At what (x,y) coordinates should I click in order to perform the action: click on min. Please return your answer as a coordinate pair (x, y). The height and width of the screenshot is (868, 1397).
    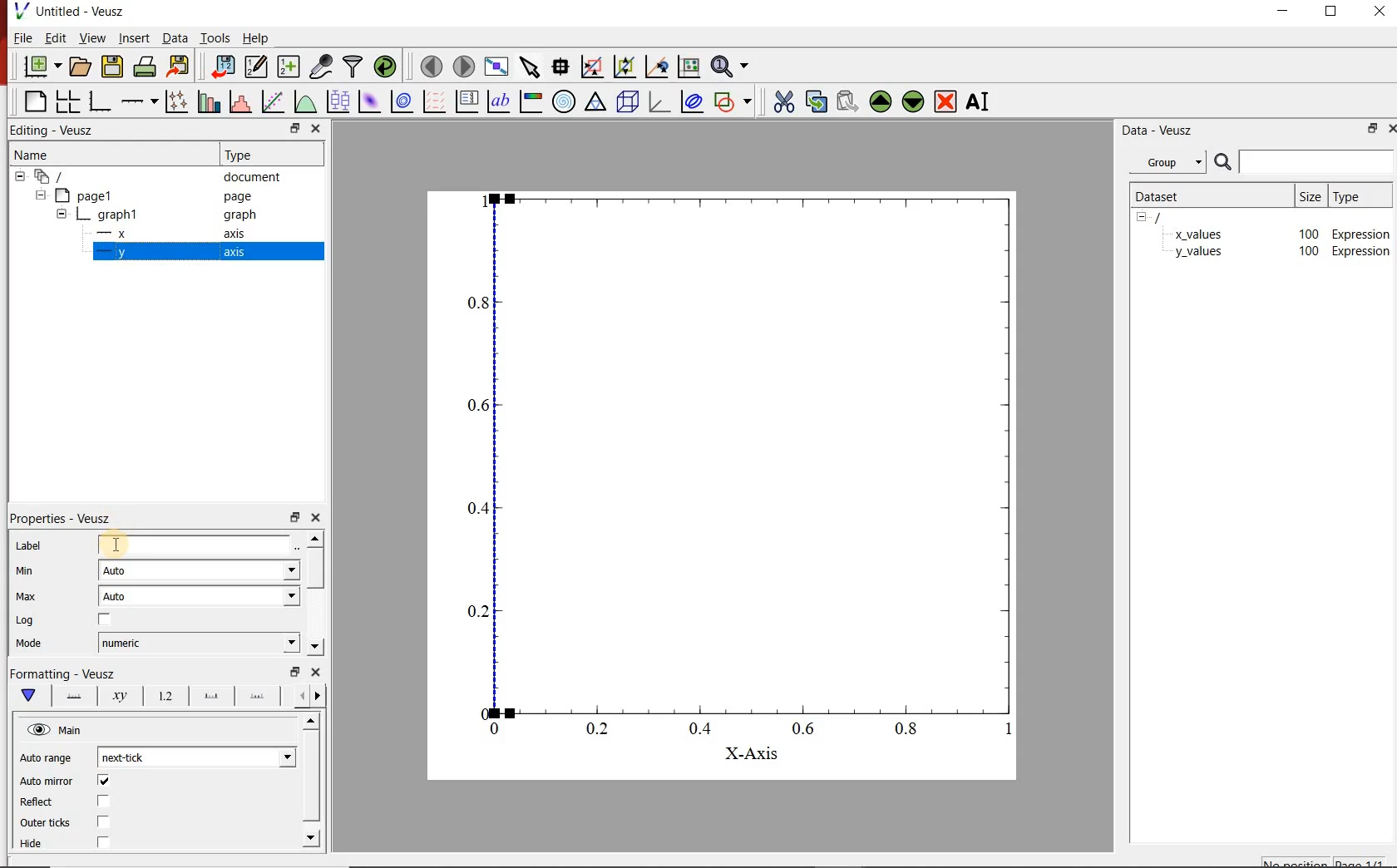
    Looking at the image, I should click on (24, 575).